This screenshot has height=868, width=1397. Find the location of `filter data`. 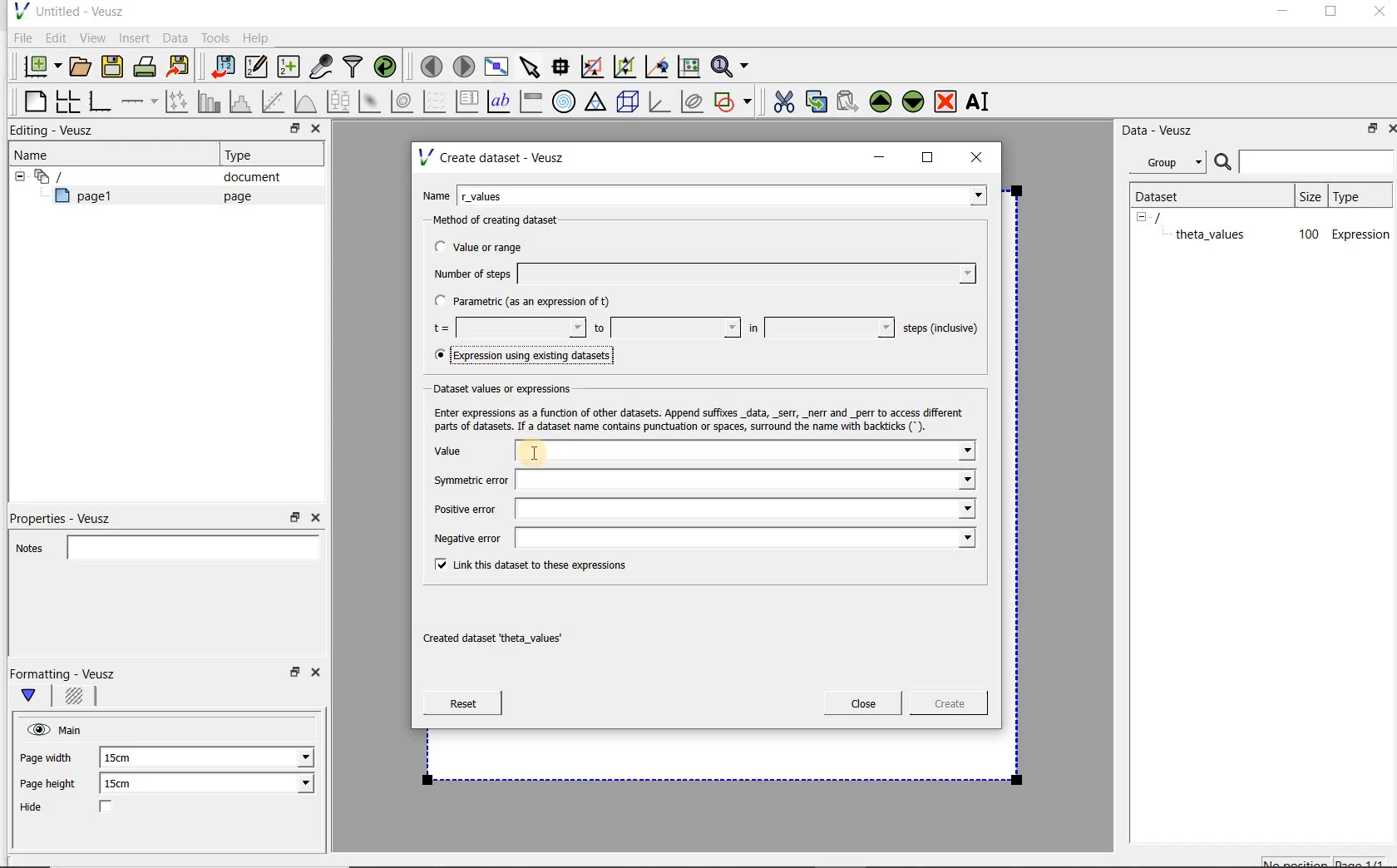

filter data is located at coordinates (353, 68).